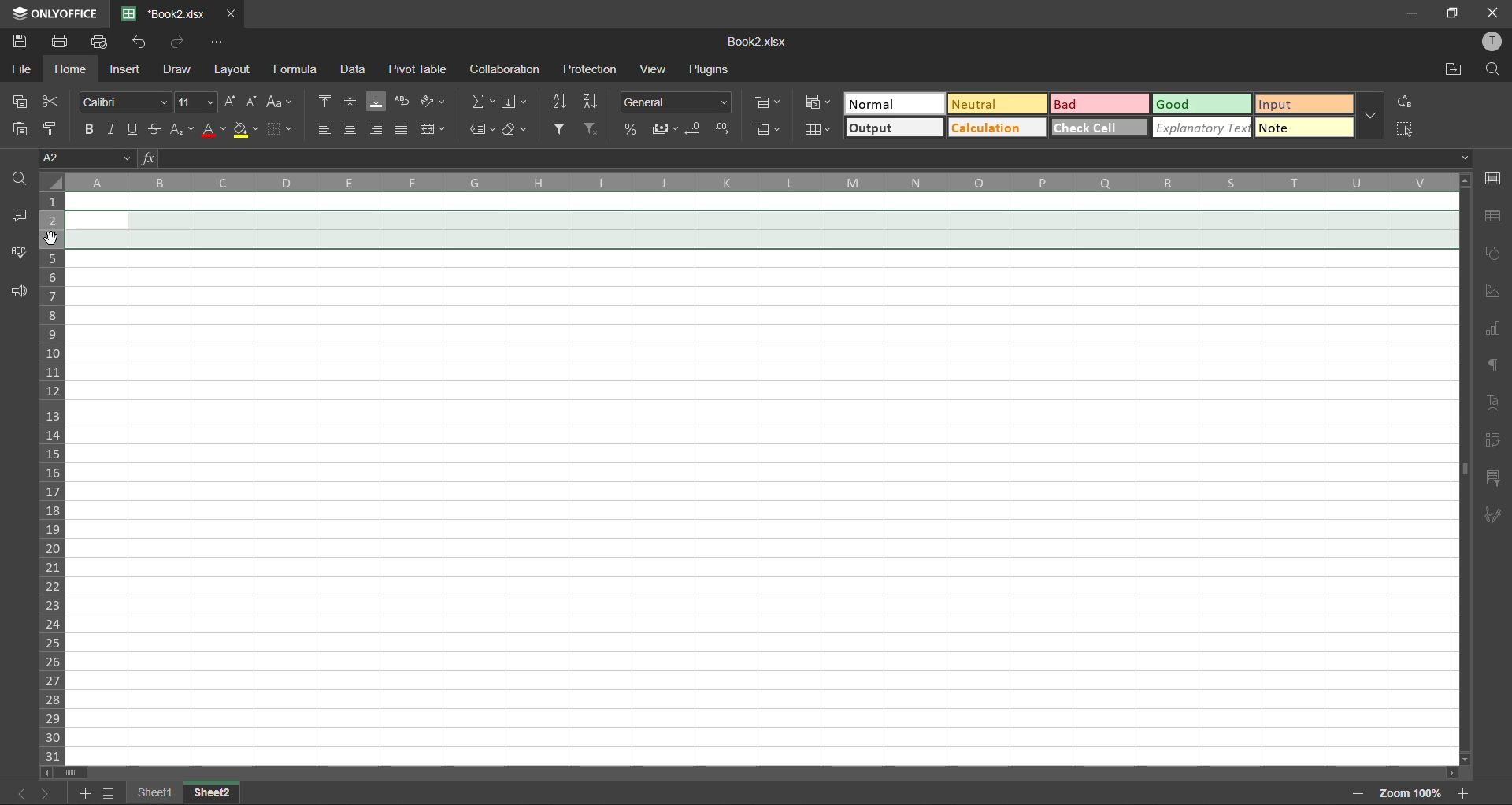 This screenshot has width=1512, height=805. Describe the element at coordinates (1492, 440) in the screenshot. I see `pivot table` at that location.